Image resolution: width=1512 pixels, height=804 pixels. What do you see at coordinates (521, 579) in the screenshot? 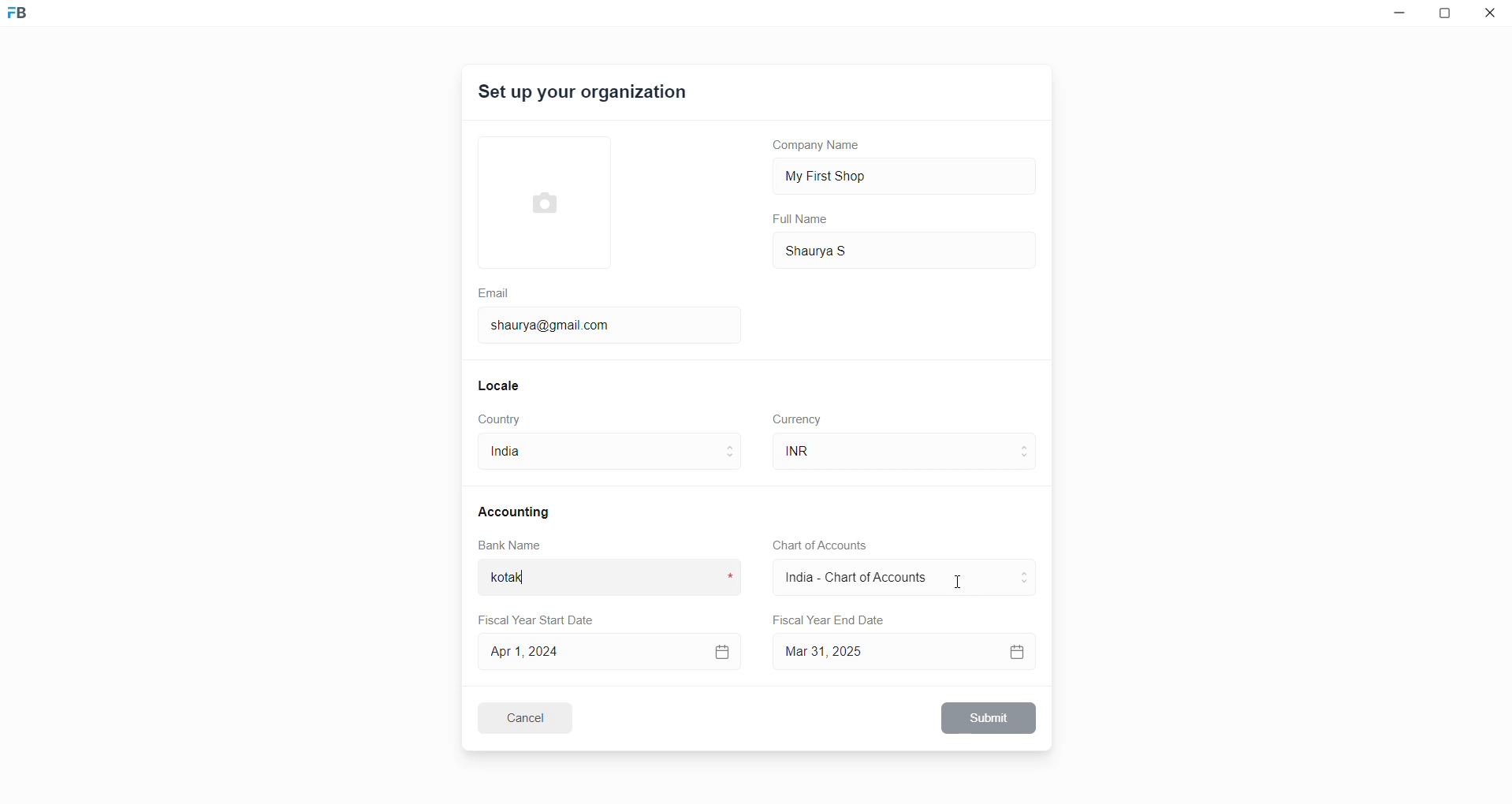
I see `kotak` at bounding box center [521, 579].